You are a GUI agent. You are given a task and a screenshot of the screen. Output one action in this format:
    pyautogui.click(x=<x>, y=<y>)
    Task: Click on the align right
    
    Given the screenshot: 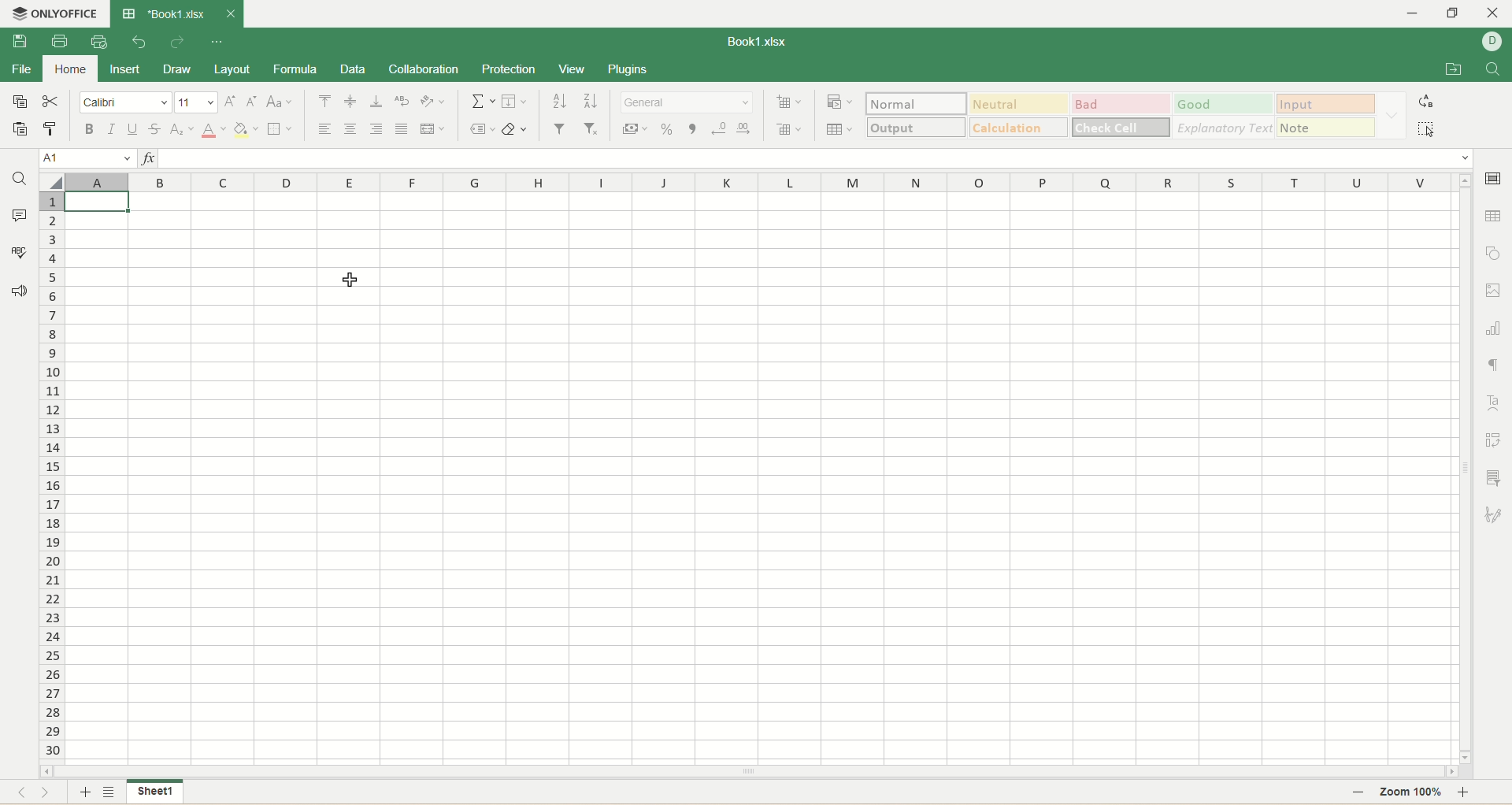 What is the action you would take?
    pyautogui.click(x=379, y=128)
    